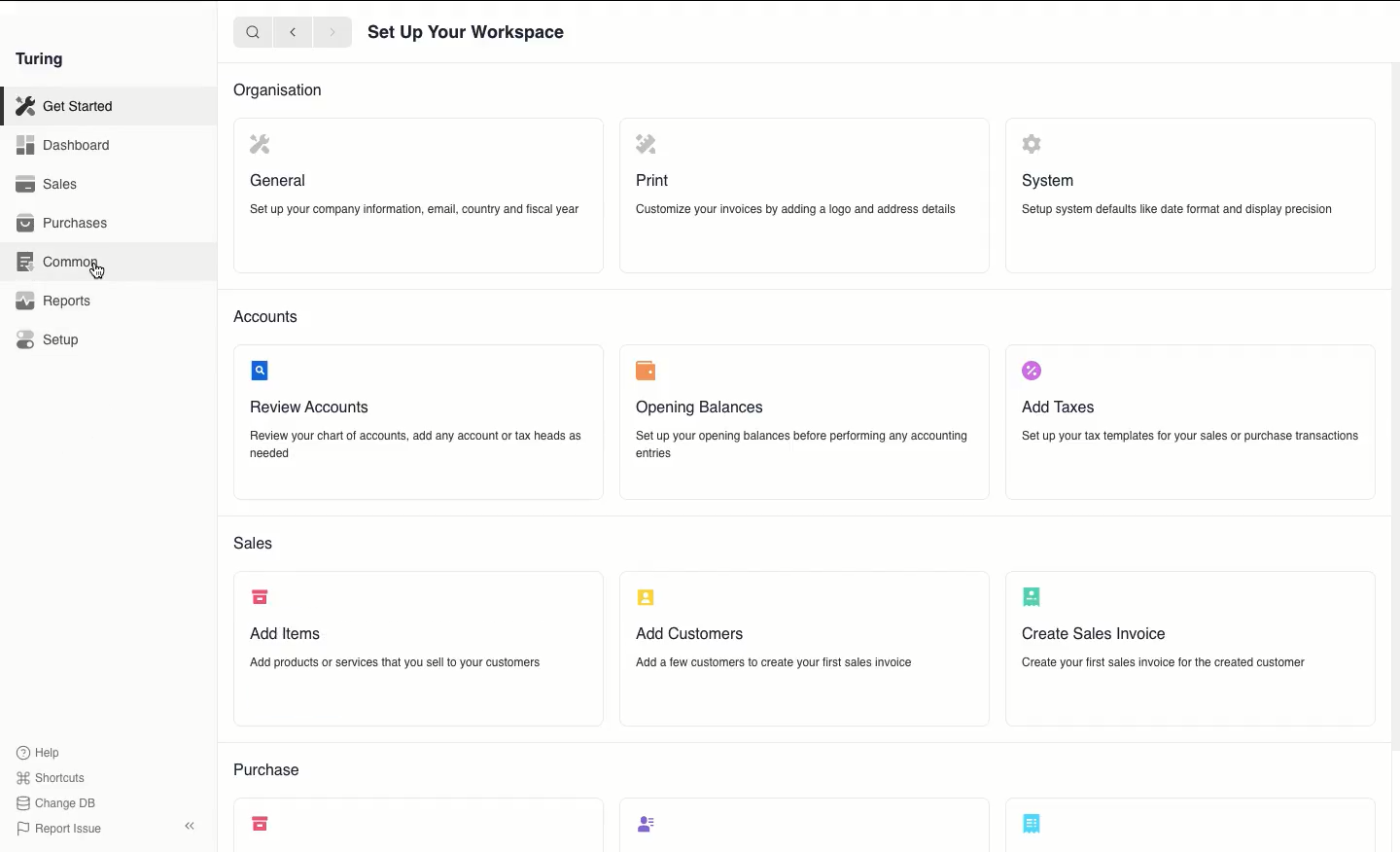 The width and height of the screenshot is (1400, 852). I want to click on System, so click(1052, 160).